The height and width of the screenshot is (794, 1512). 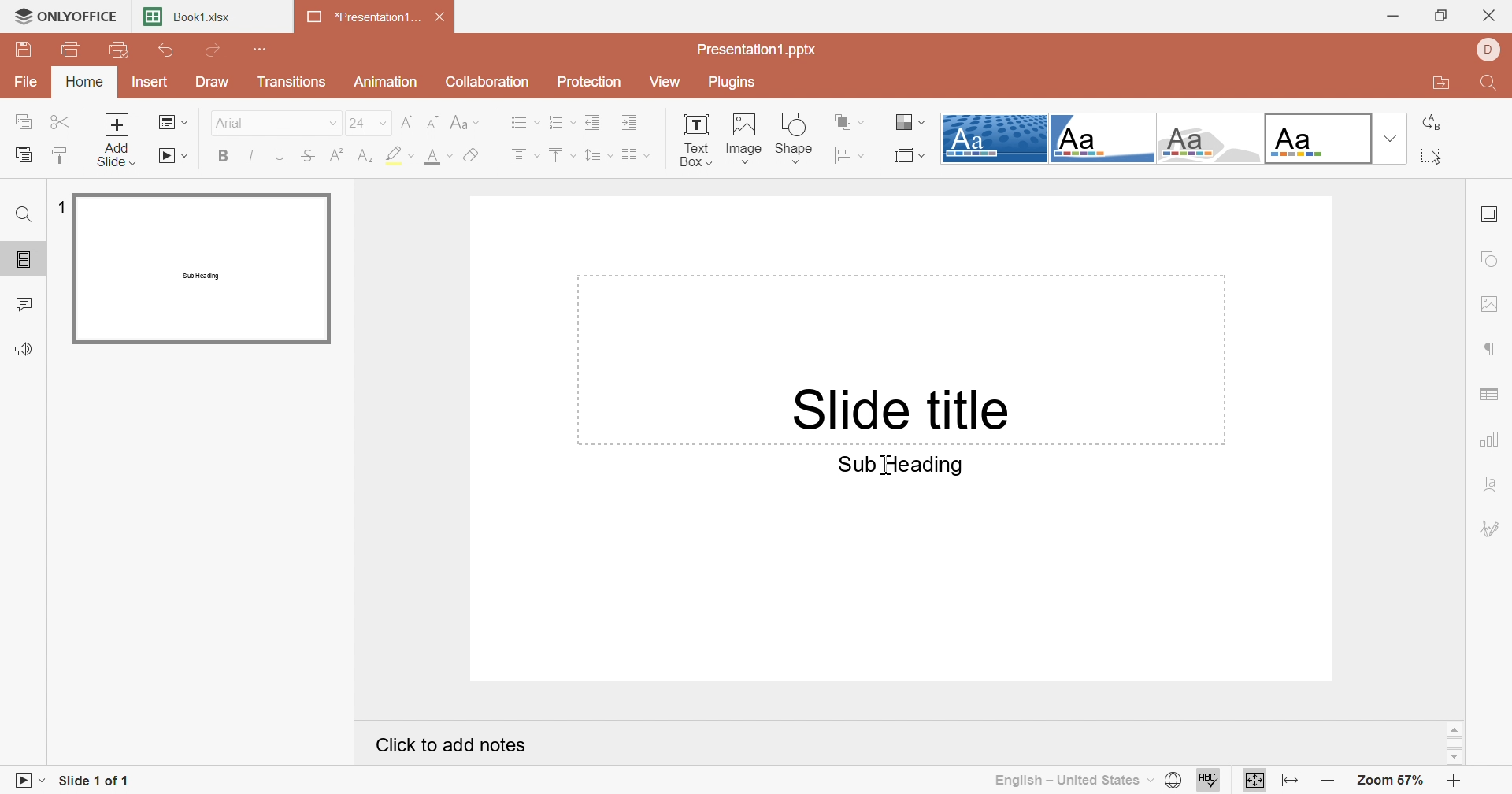 I want to click on DELL, so click(x=1491, y=49).